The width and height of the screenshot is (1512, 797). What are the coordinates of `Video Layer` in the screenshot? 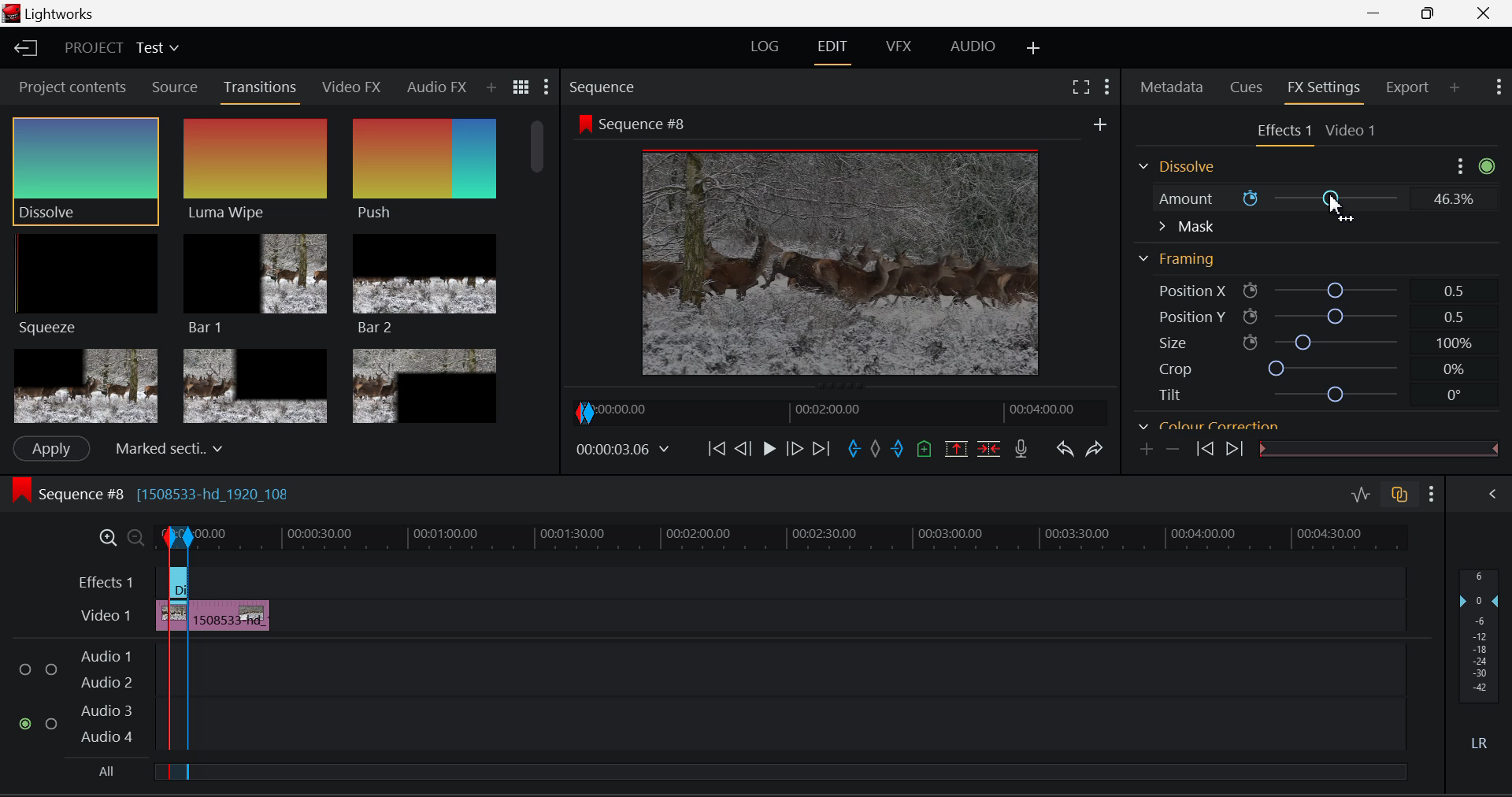 It's located at (106, 617).